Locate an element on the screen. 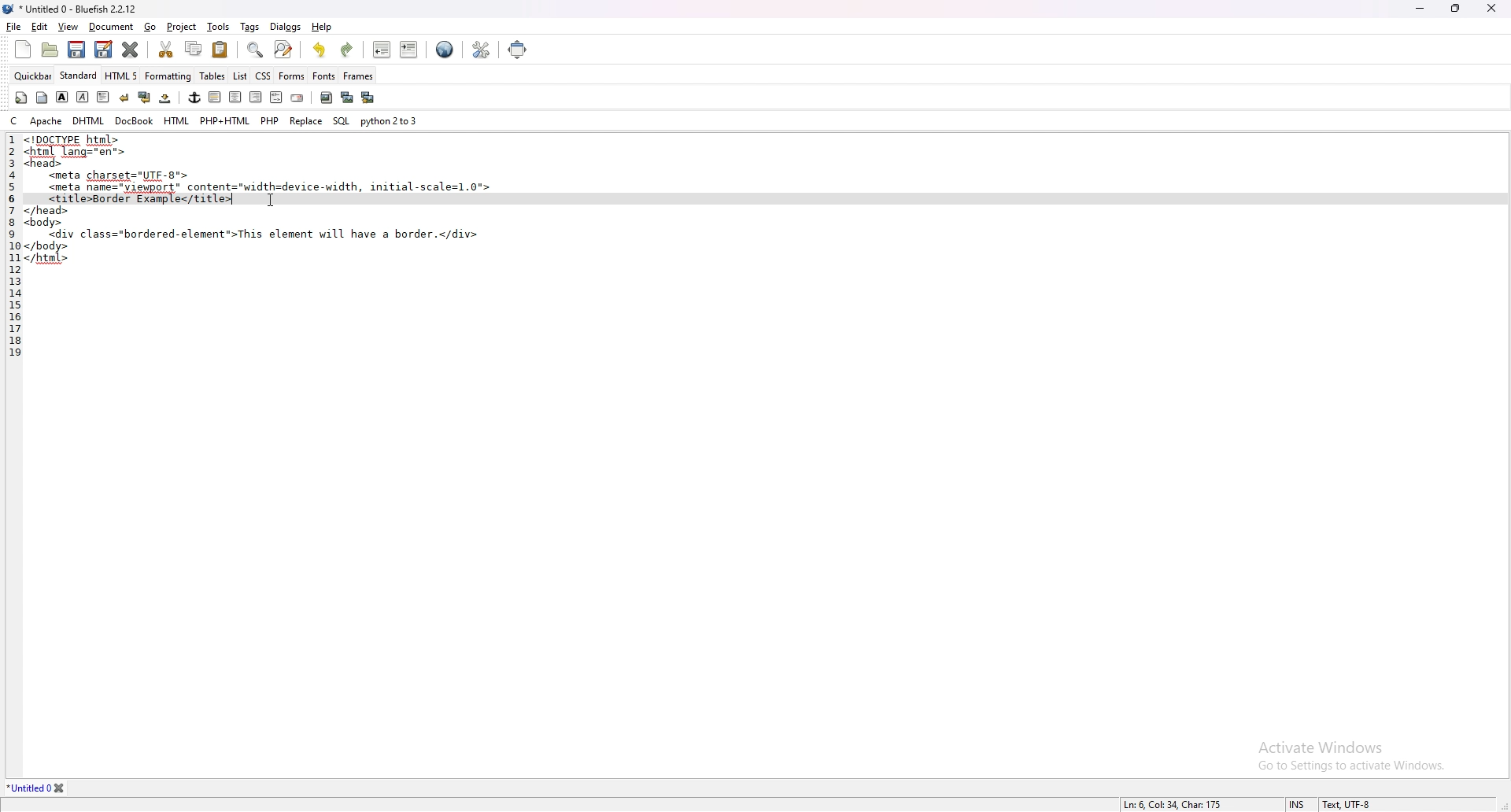 The height and width of the screenshot is (812, 1511). python 2 to 3 is located at coordinates (390, 120).